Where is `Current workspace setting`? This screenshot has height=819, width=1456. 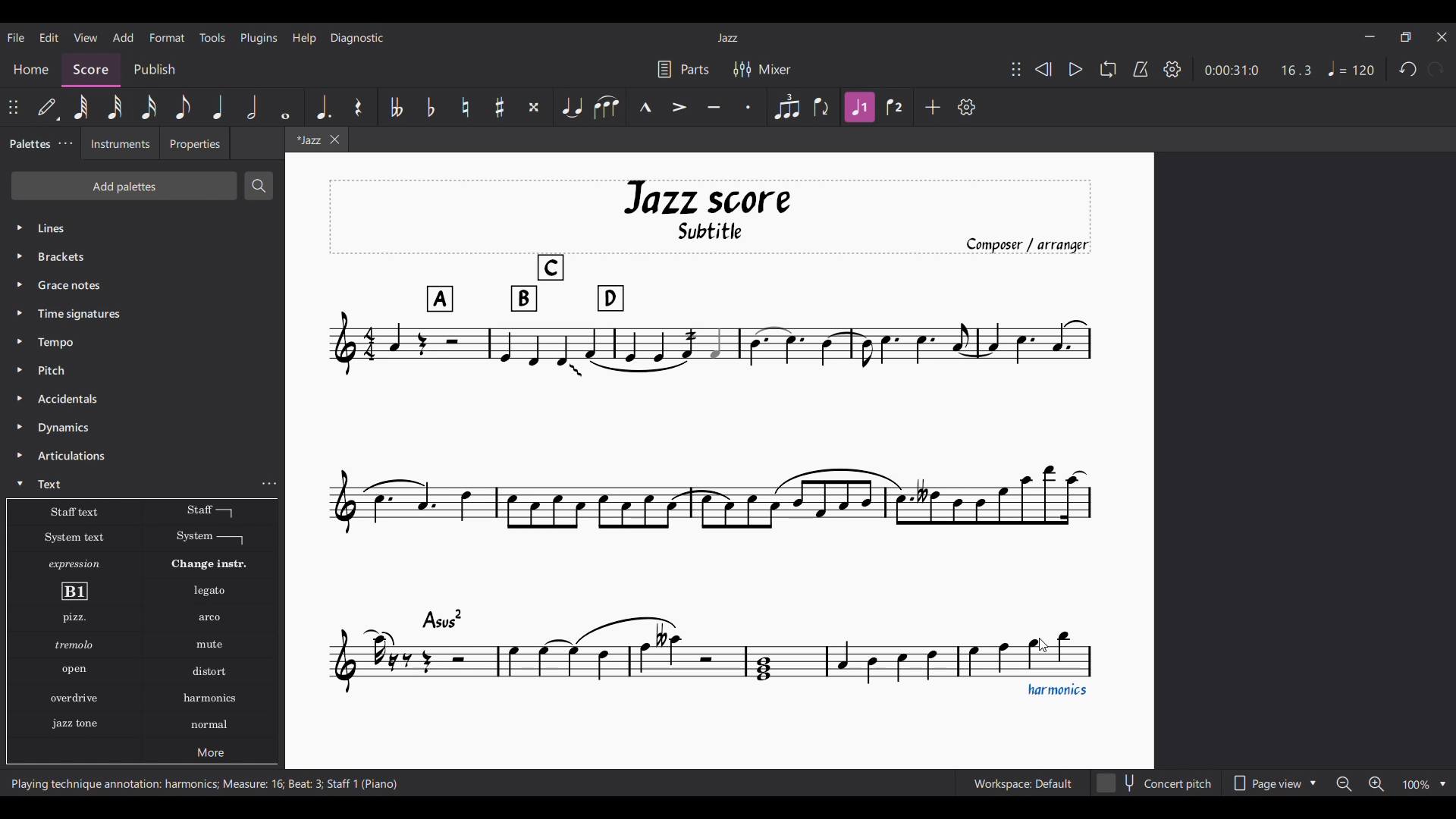
Current workspace setting is located at coordinates (1023, 783).